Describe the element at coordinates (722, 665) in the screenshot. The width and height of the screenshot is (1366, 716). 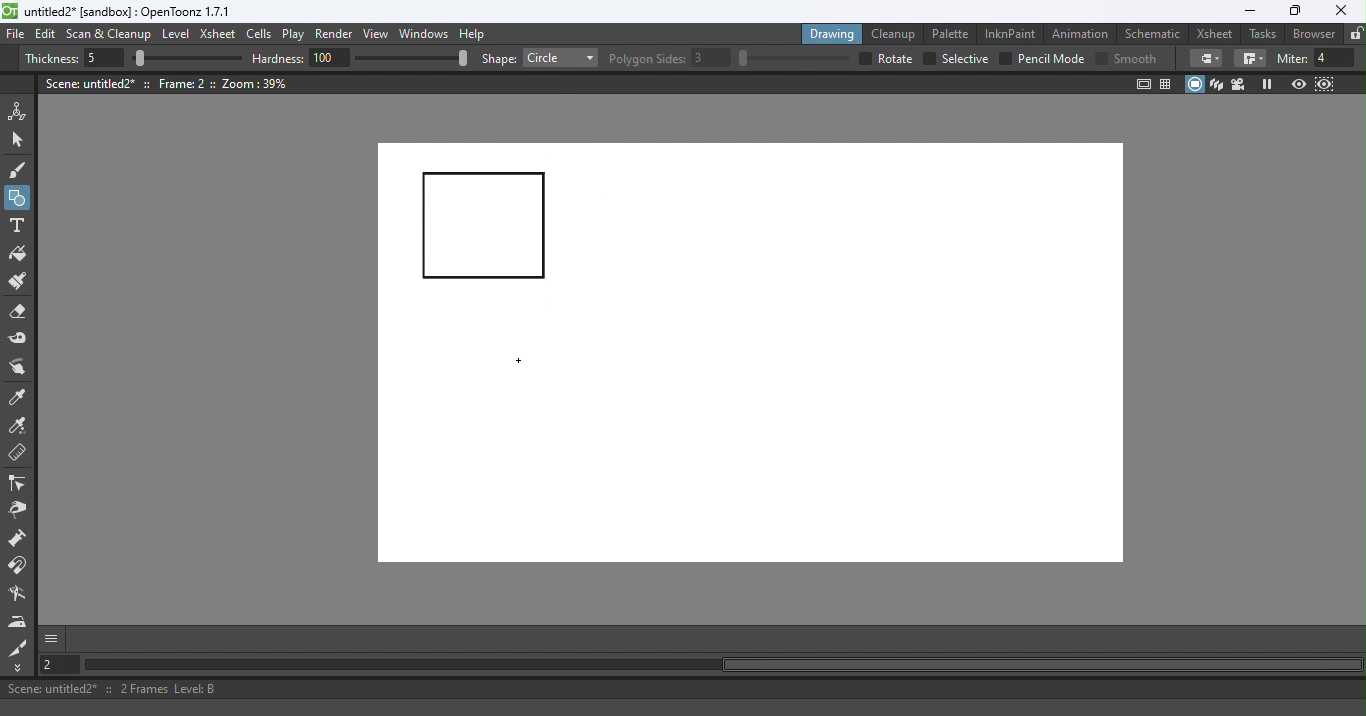
I see `Horizontal scroll bar` at that location.